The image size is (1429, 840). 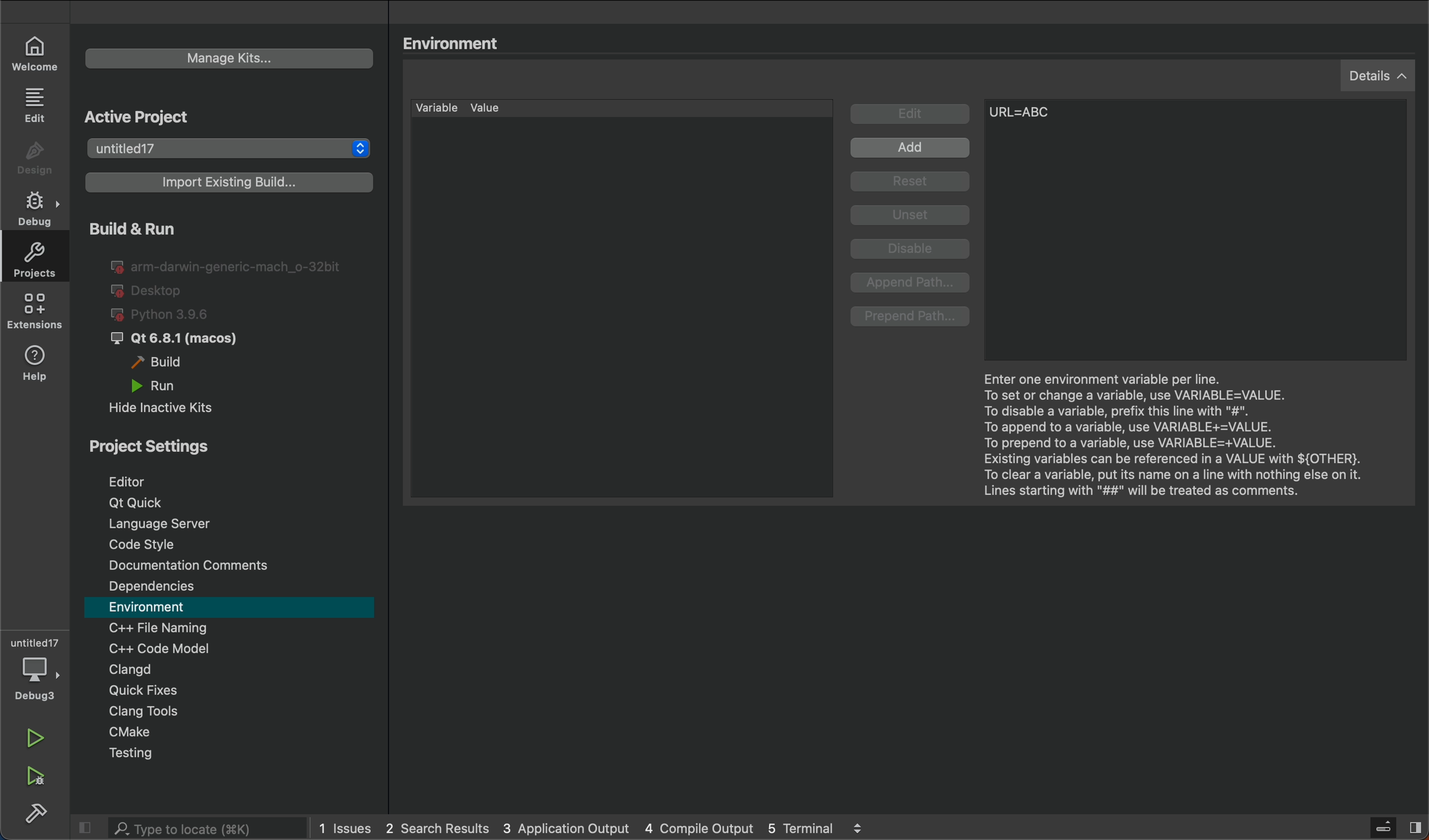 I want to click on Build & Run, so click(x=171, y=228).